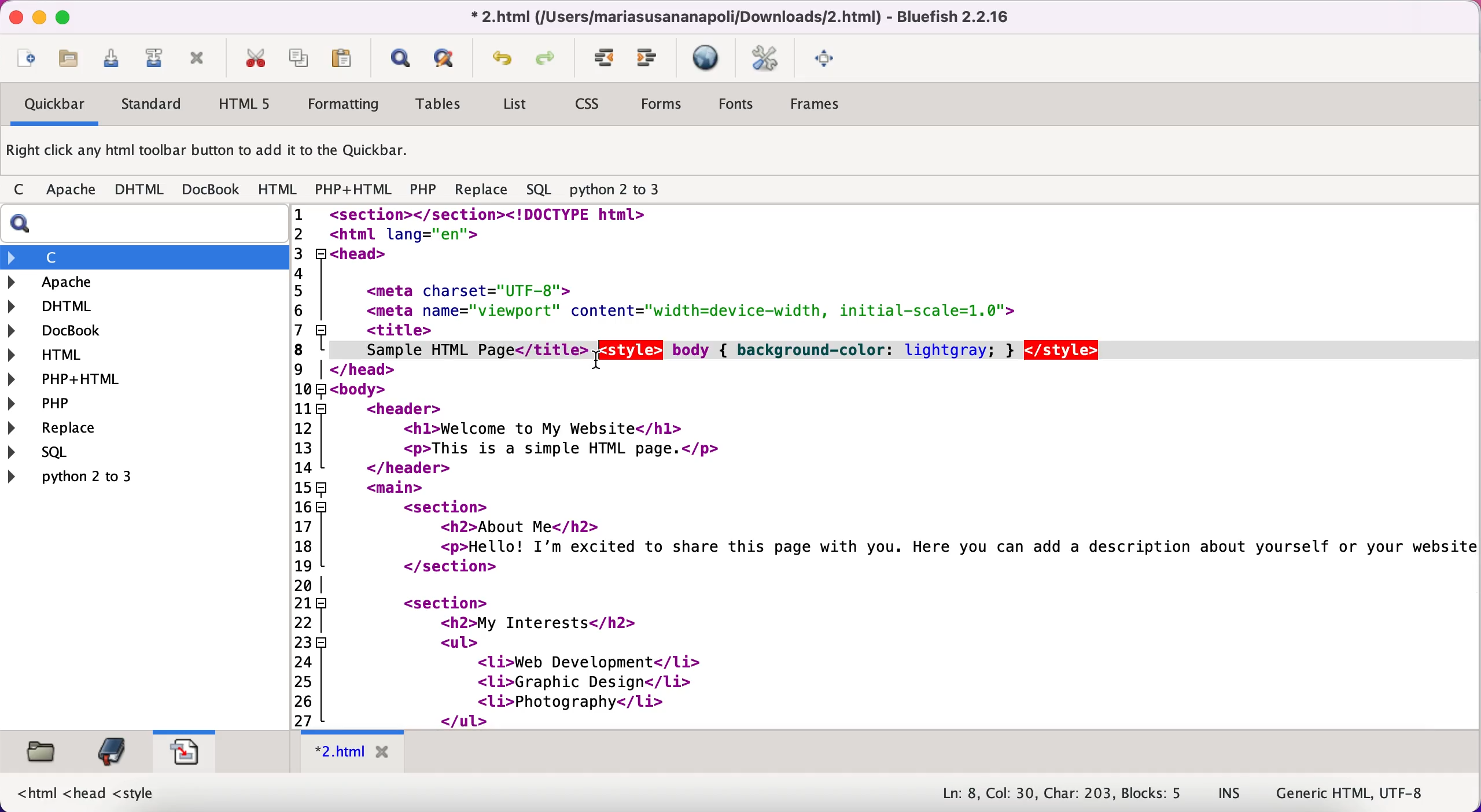 Image resolution: width=1481 pixels, height=812 pixels. I want to click on edit preferences, so click(765, 60).